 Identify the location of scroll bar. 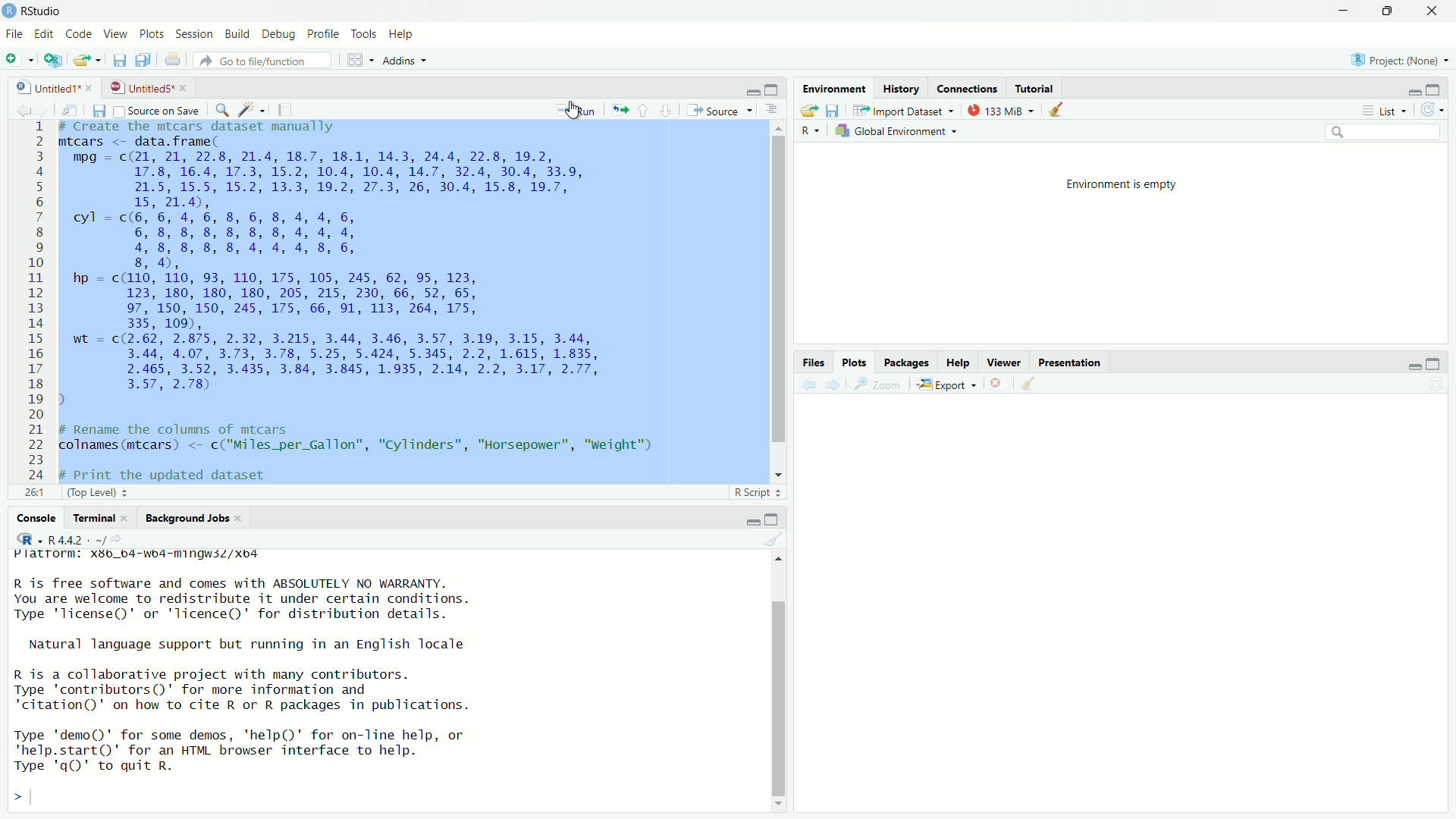
(785, 685).